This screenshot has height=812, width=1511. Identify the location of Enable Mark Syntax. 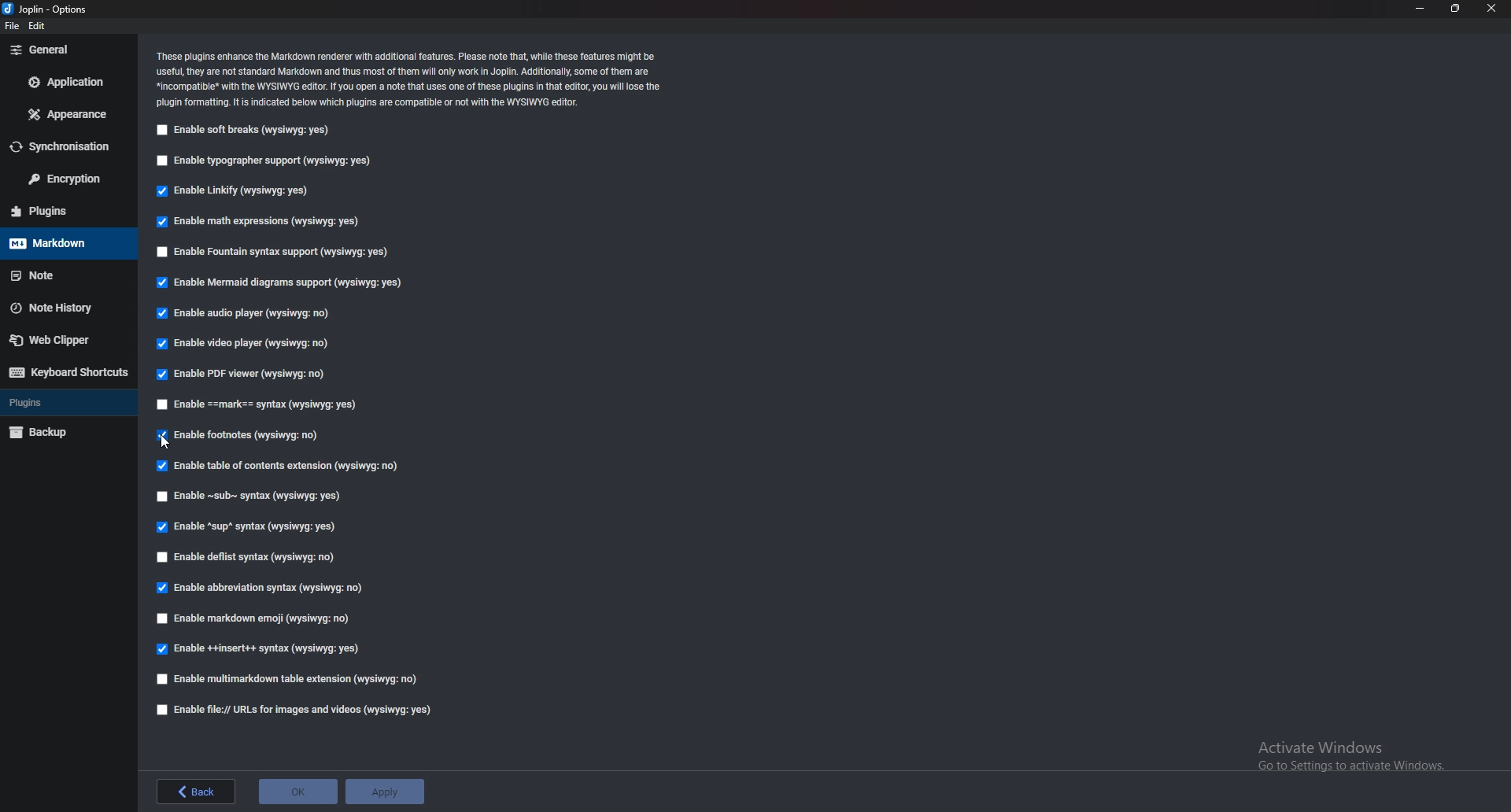
(268, 404).